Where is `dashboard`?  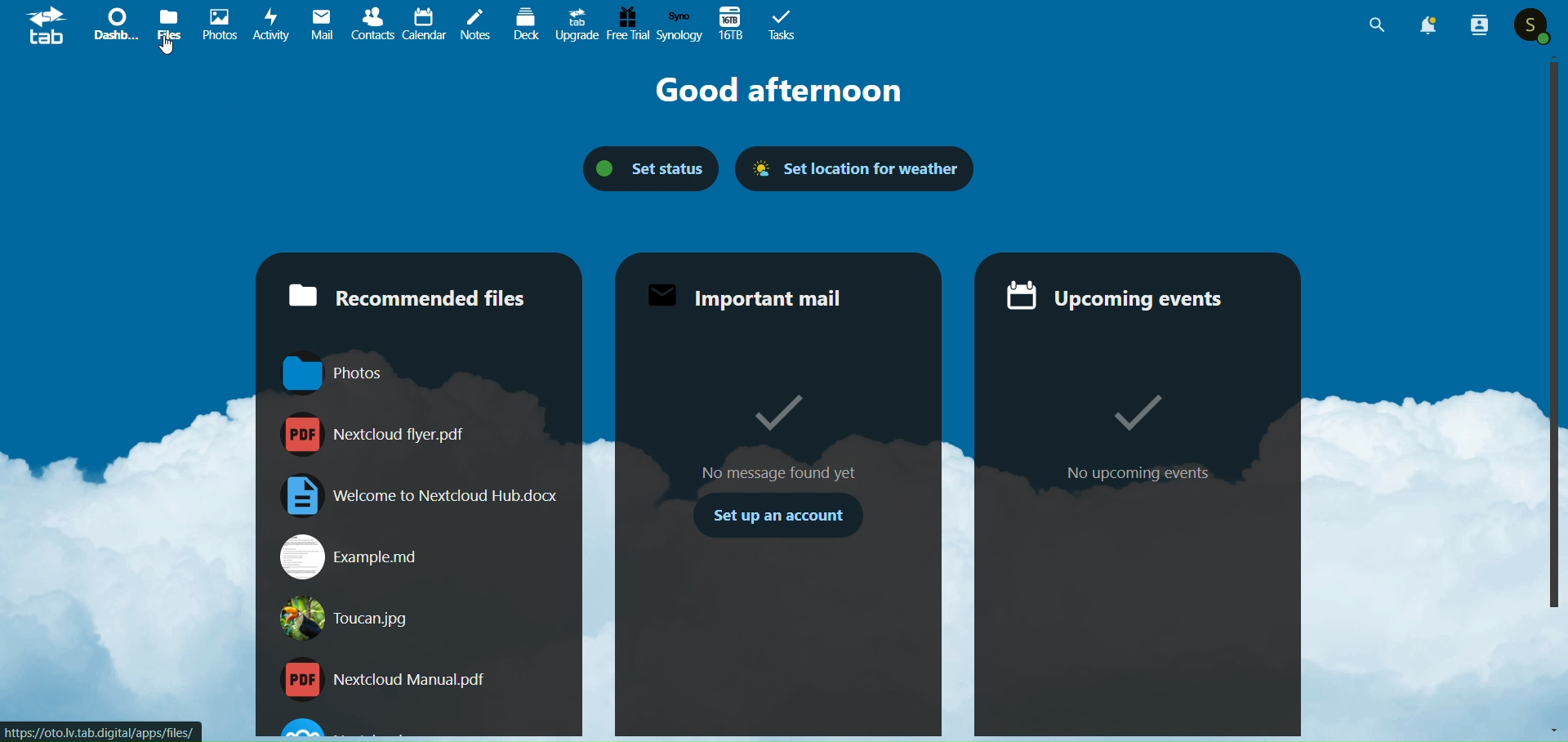
dashboard is located at coordinates (117, 26).